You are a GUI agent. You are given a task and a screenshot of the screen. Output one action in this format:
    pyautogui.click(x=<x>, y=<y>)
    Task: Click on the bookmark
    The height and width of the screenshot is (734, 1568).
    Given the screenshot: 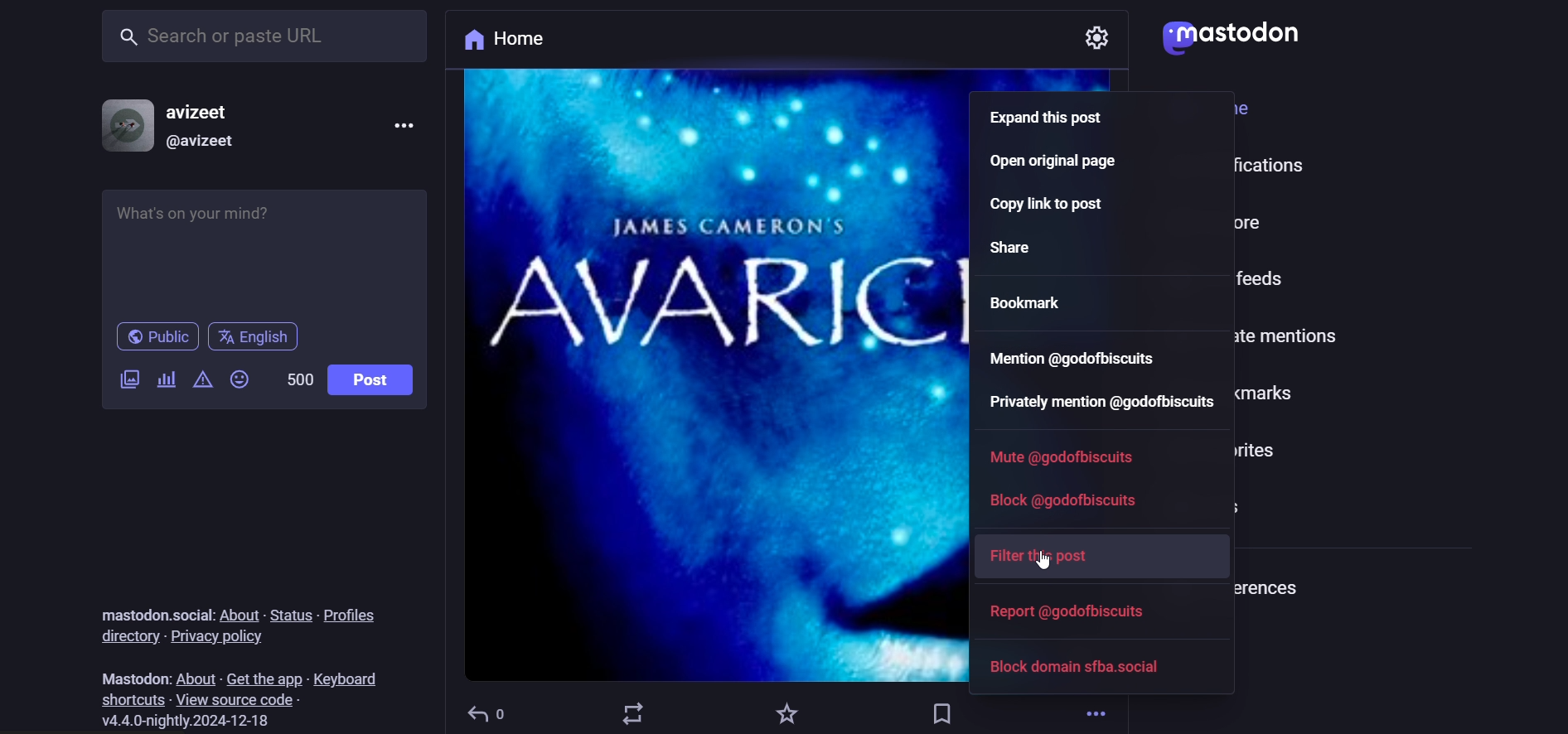 What is the action you would take?
    pyautogui.click(x=1033, y=303)
    